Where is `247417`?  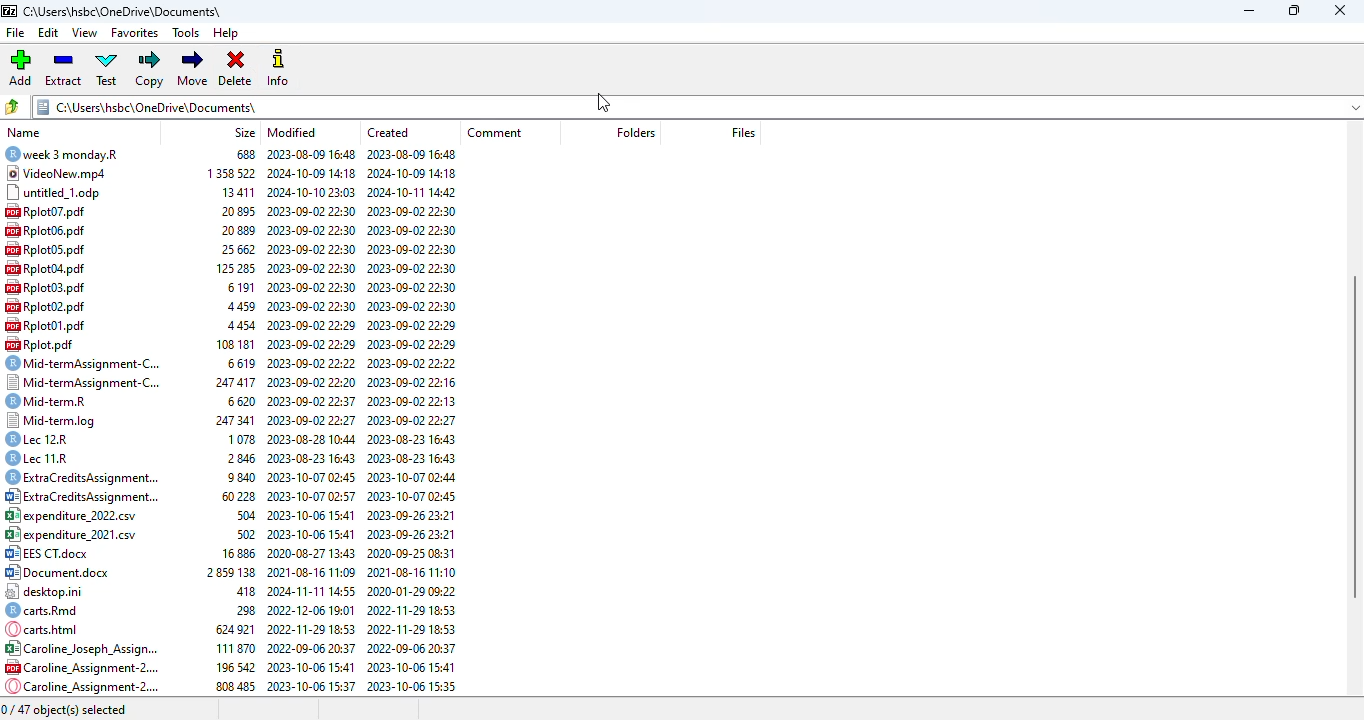
247417 is located at coordinates (229, 417).